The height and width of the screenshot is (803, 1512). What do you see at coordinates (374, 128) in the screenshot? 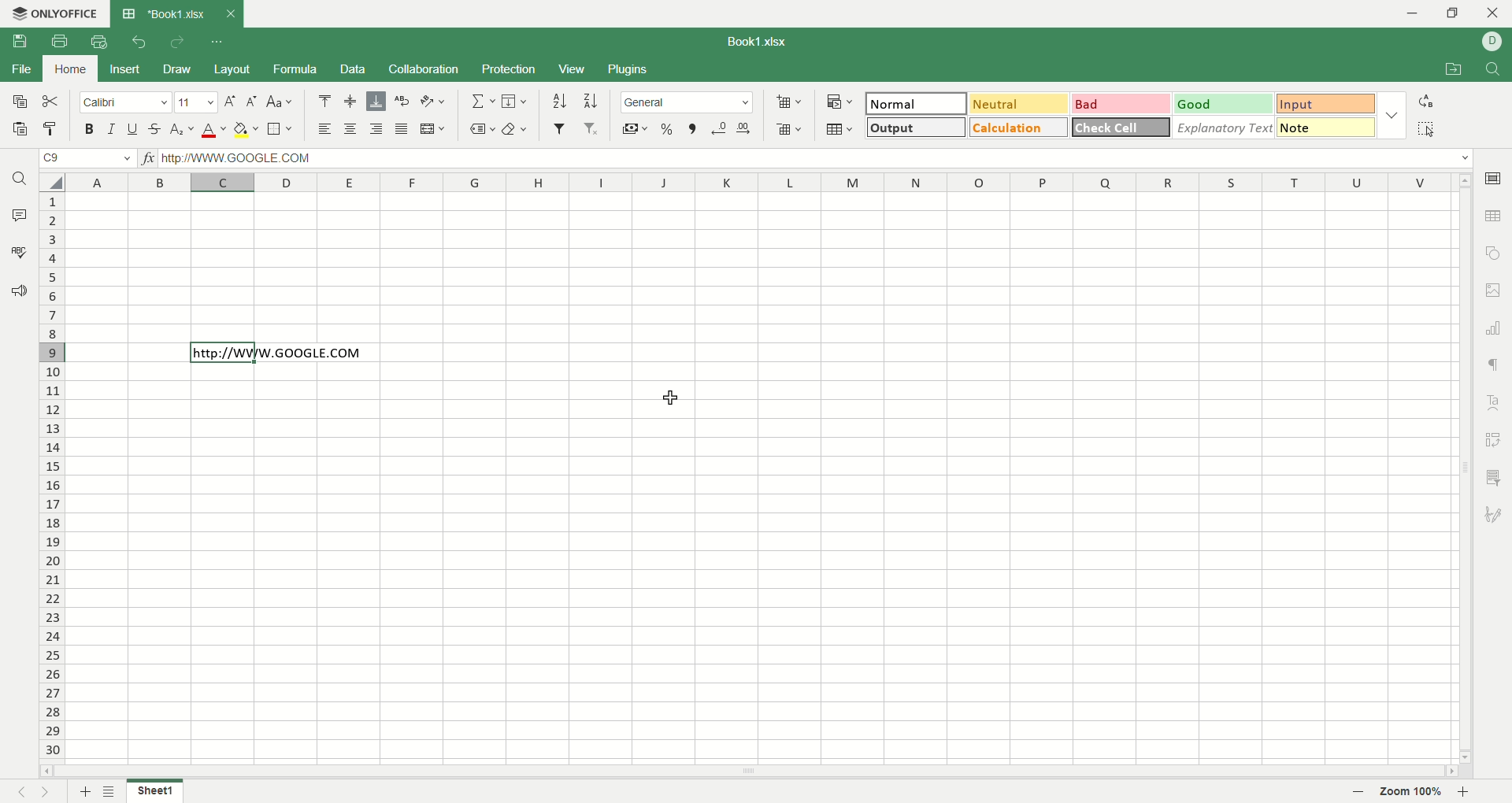
I see `align right` at bounding box center [374, 128].